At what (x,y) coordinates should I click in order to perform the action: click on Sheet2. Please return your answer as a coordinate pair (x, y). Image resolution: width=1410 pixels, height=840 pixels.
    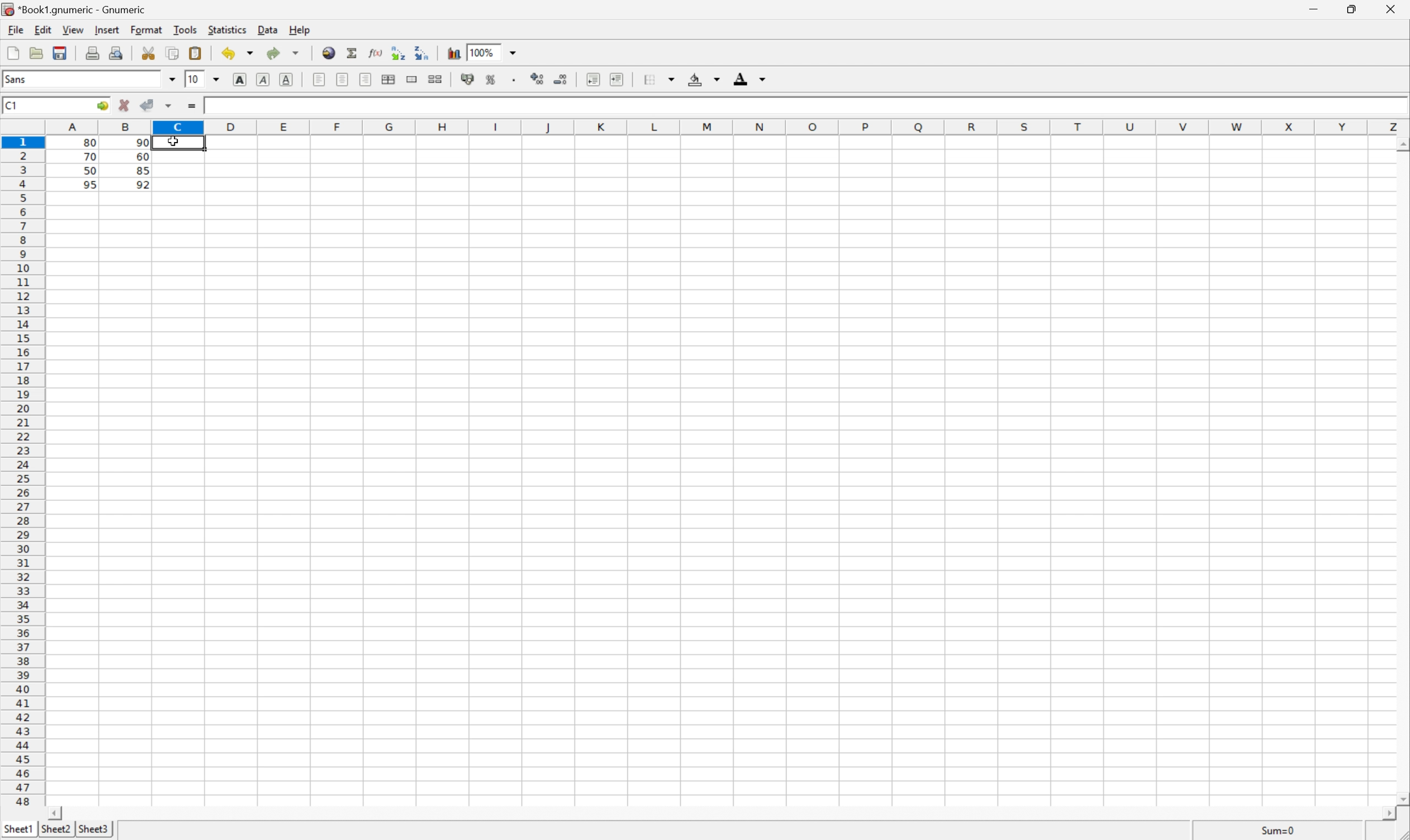
    Looking at the image, I should click on (55, 829).